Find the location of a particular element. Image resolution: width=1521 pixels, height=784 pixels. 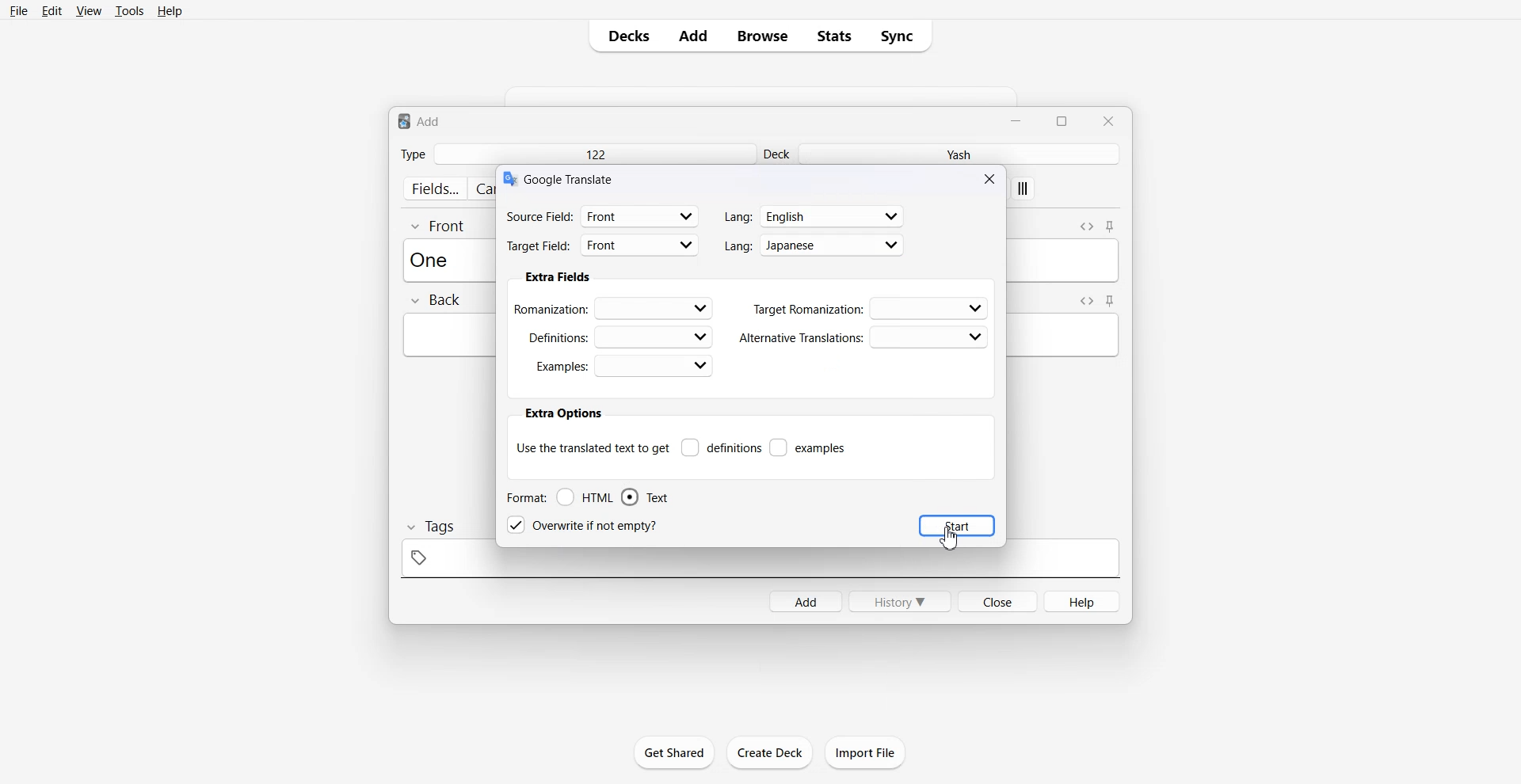

apply custom style is located at coordinates (1024, 190).